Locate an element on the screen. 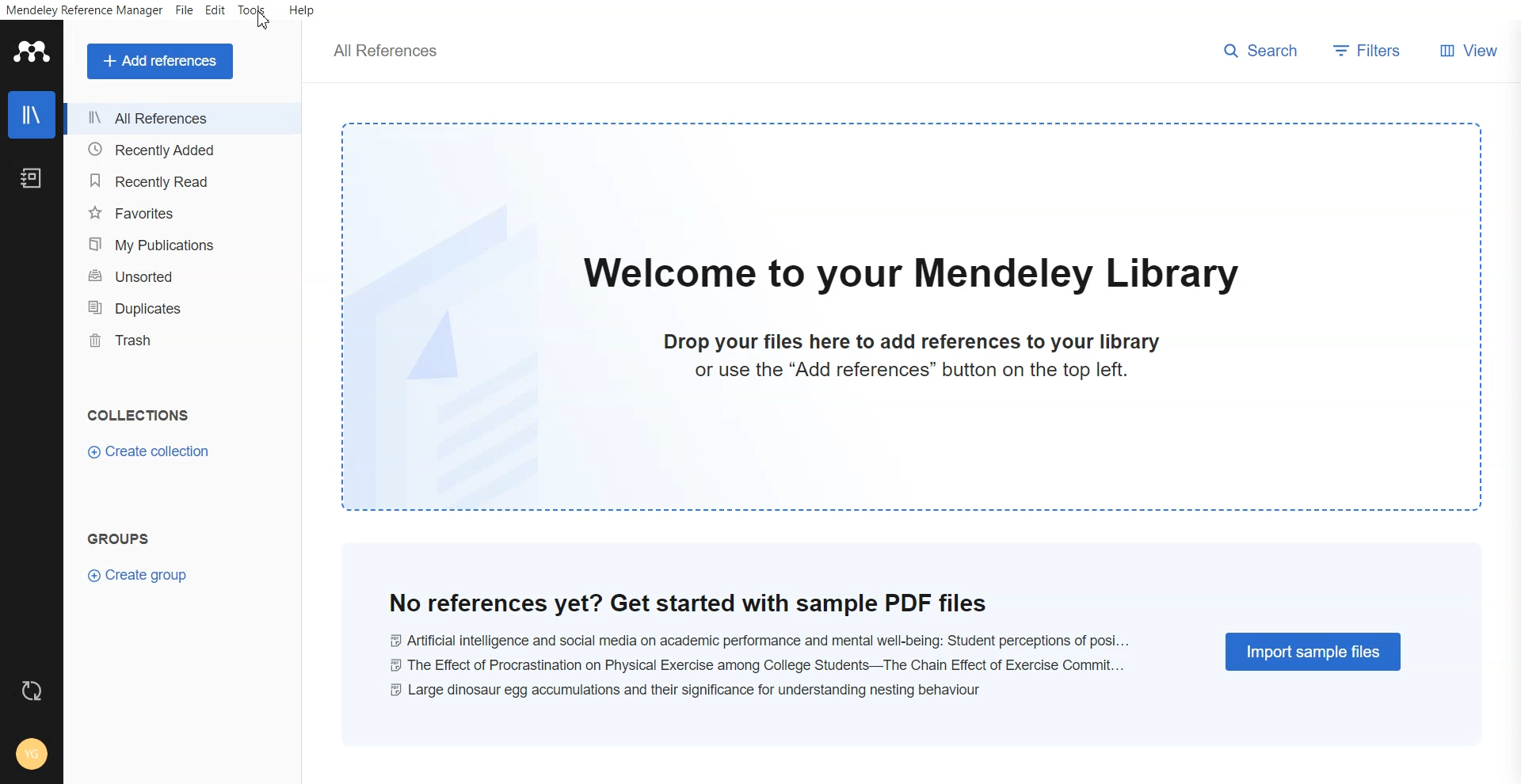  groups is located at coordinates (119, 539).